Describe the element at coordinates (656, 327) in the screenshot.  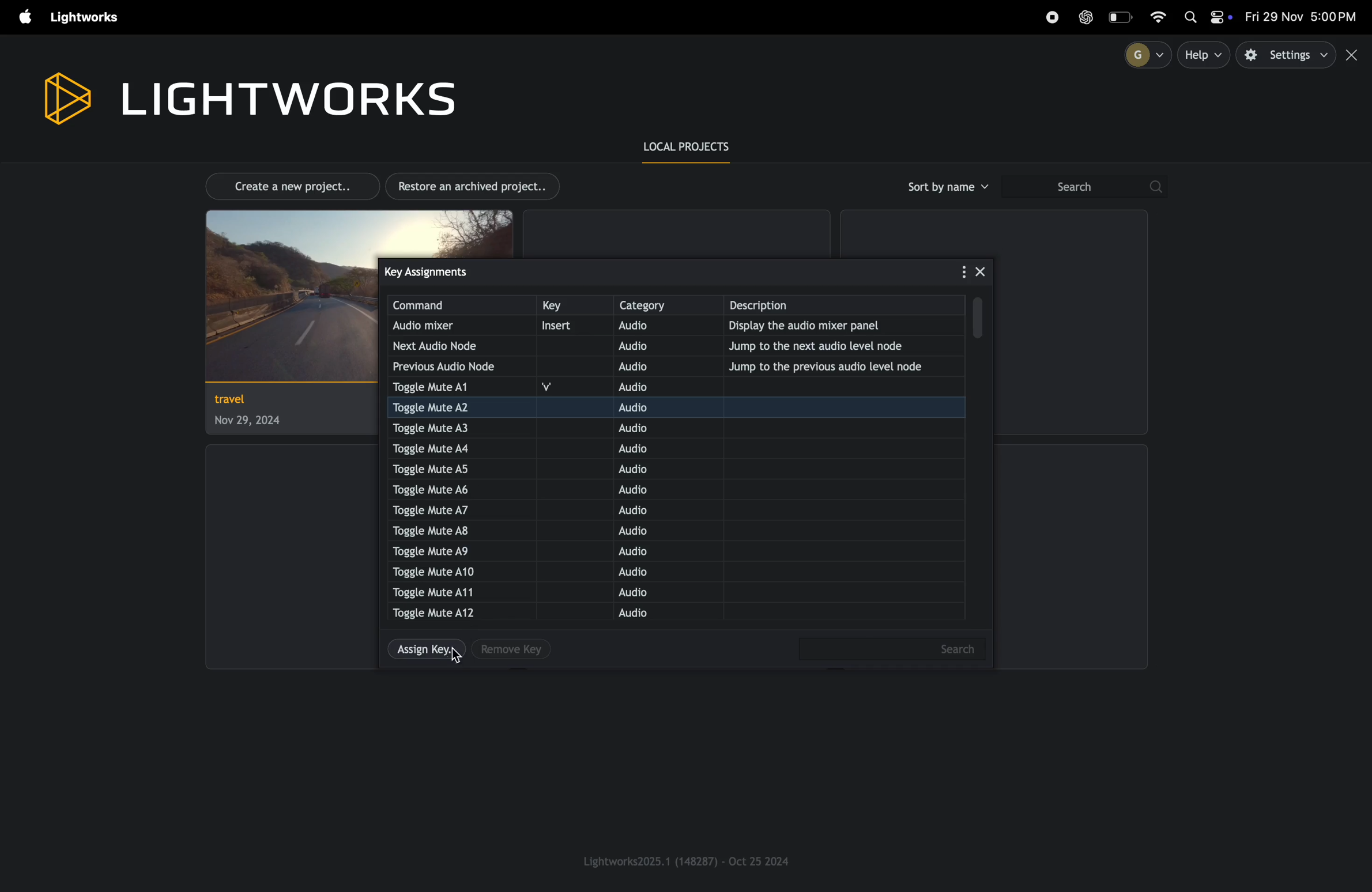
I see `audio` at that location.